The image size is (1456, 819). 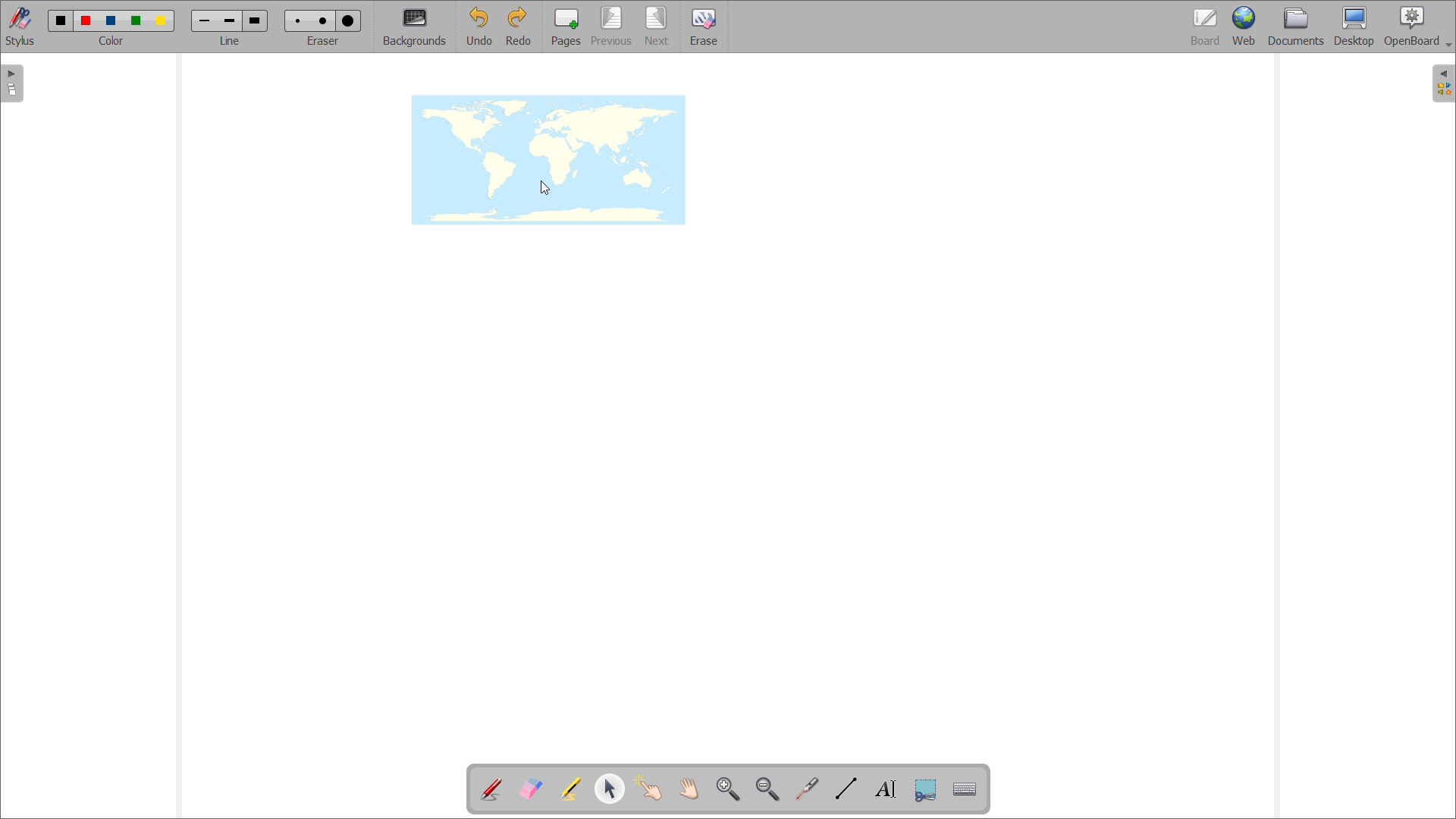 What do you see at coordinates (767, 789) in the screenshot?
I see `zoom out` at bounding box center [767, 789].